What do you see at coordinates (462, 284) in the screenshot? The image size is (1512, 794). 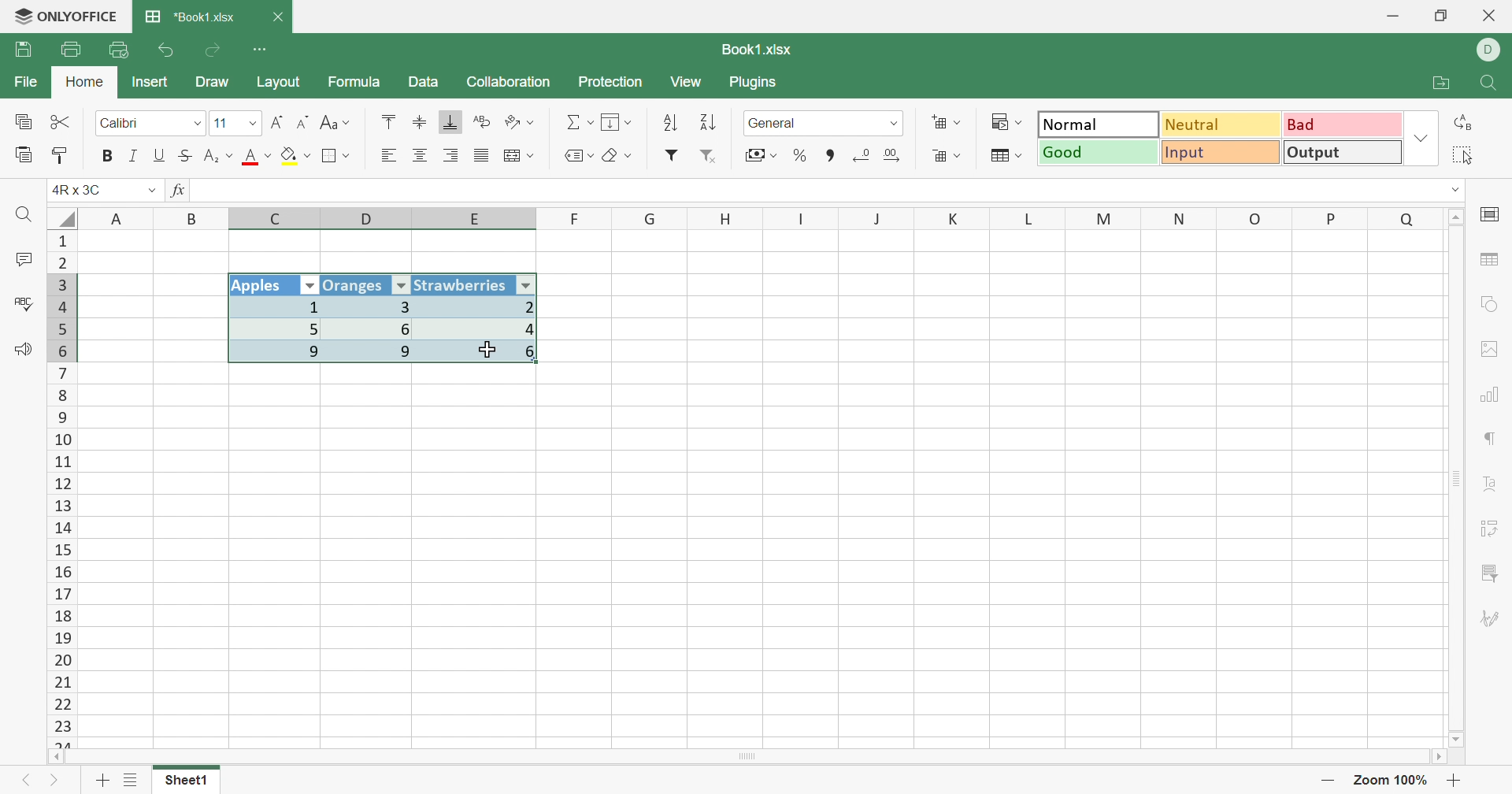 I see `Strawberries` at bounding box center [462, 284].